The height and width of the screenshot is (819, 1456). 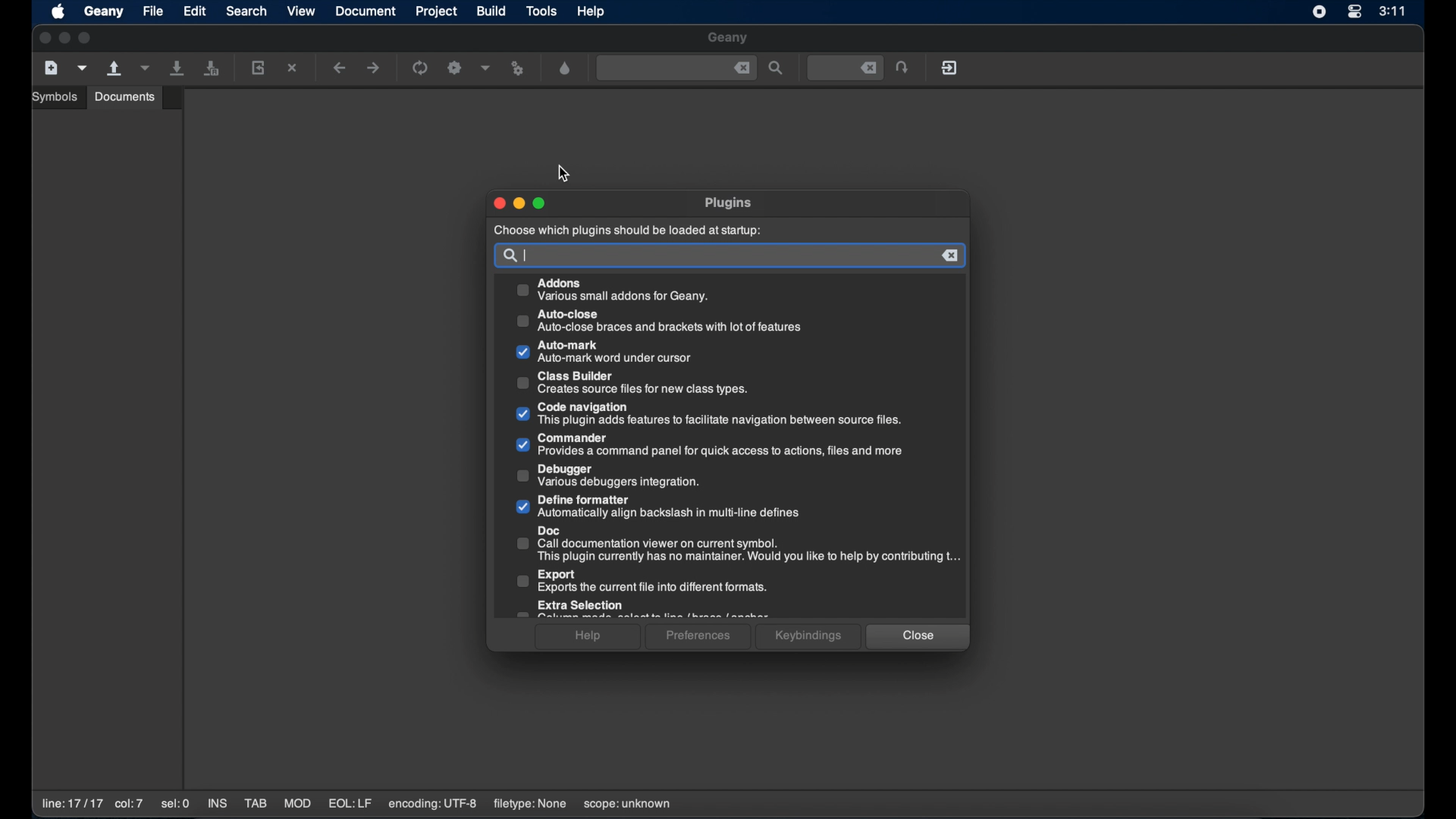 What do you see at coordinates (520, 204) in the screenshot?
I see `minimize` at bounding box center [520, 204].